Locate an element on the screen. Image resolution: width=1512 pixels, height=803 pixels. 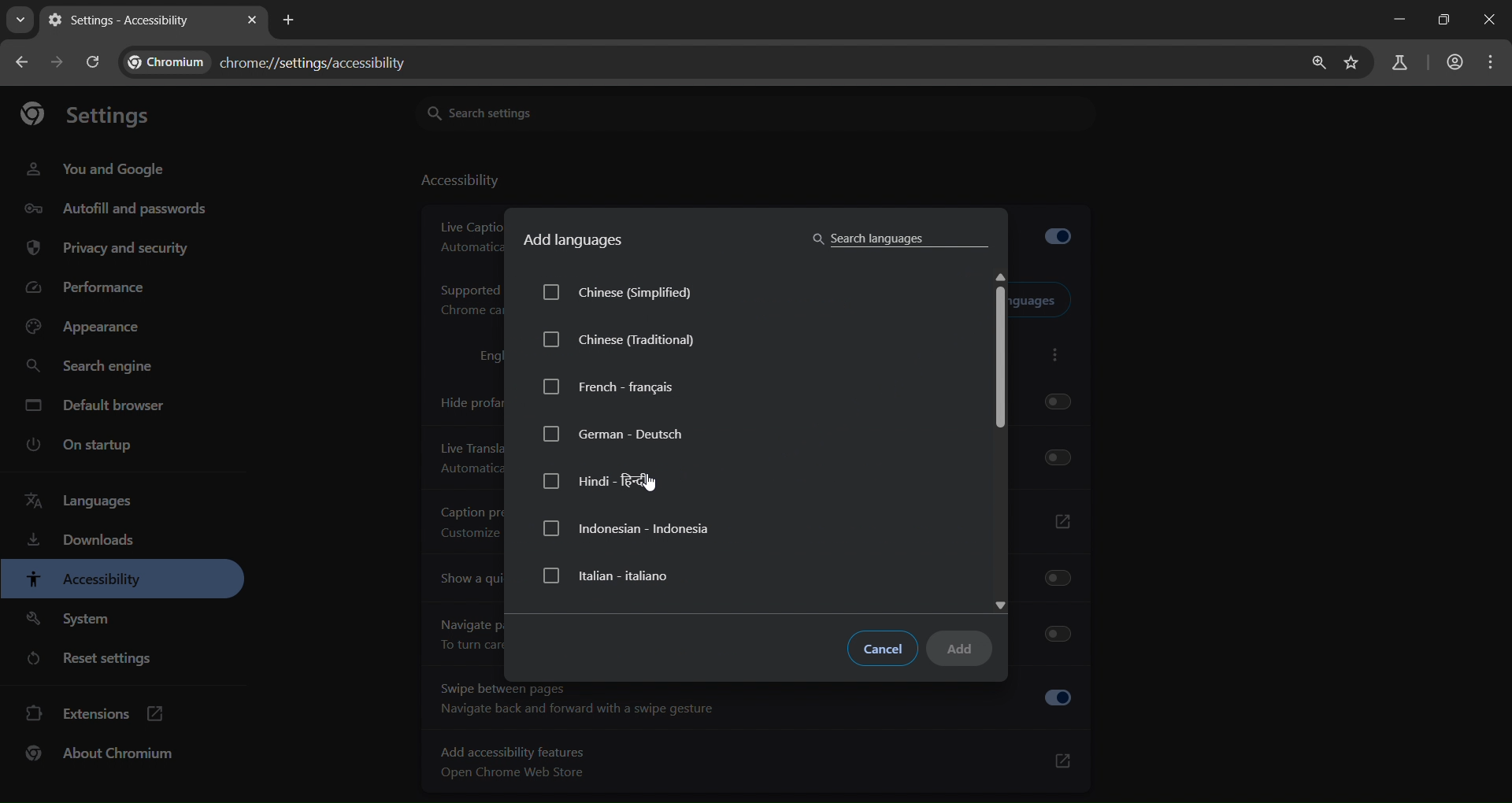
accounts is located at coordinates (1455, 61).